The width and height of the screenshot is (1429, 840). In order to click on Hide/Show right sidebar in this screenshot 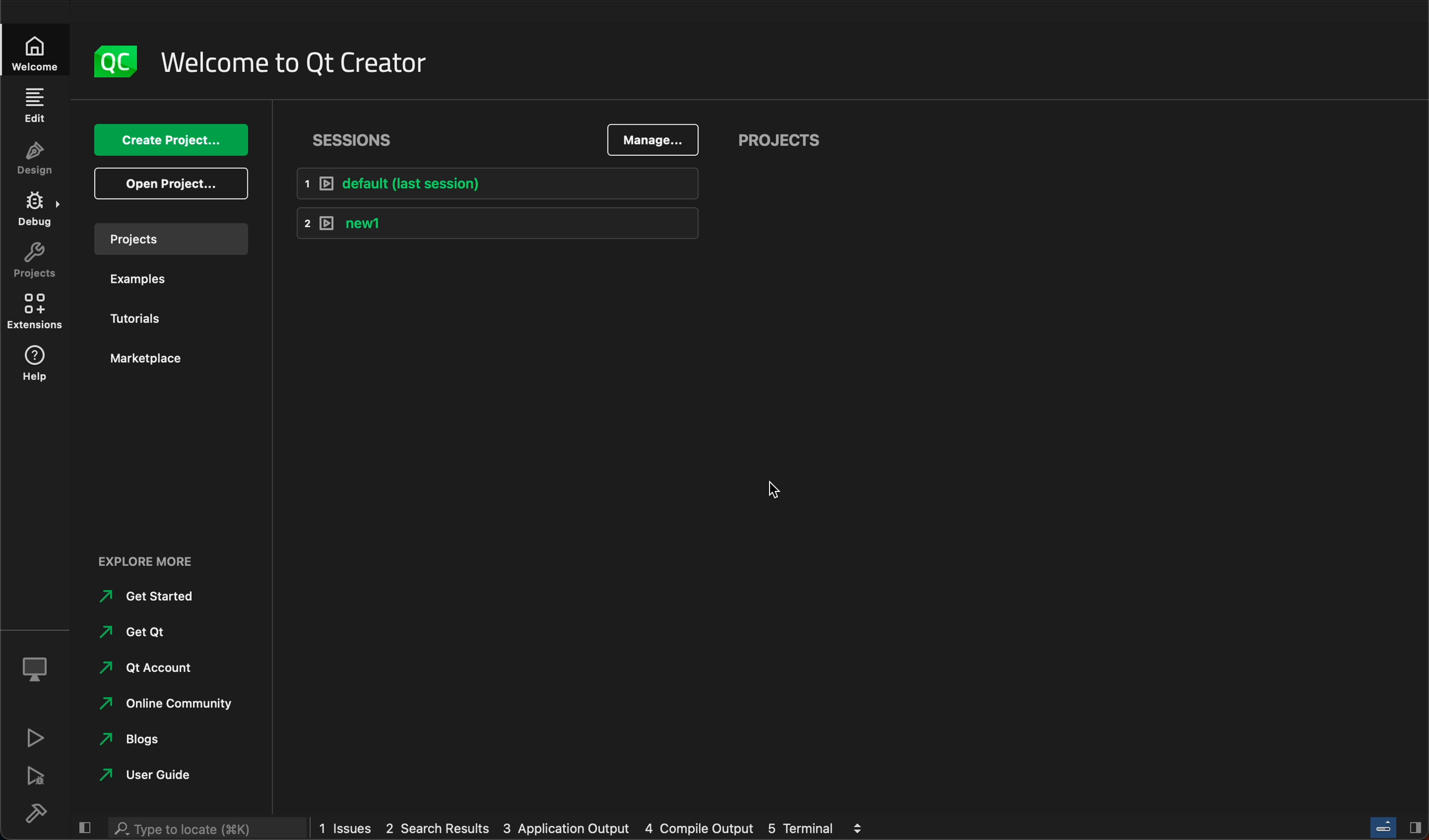, I will do `click(1414, 825)`.